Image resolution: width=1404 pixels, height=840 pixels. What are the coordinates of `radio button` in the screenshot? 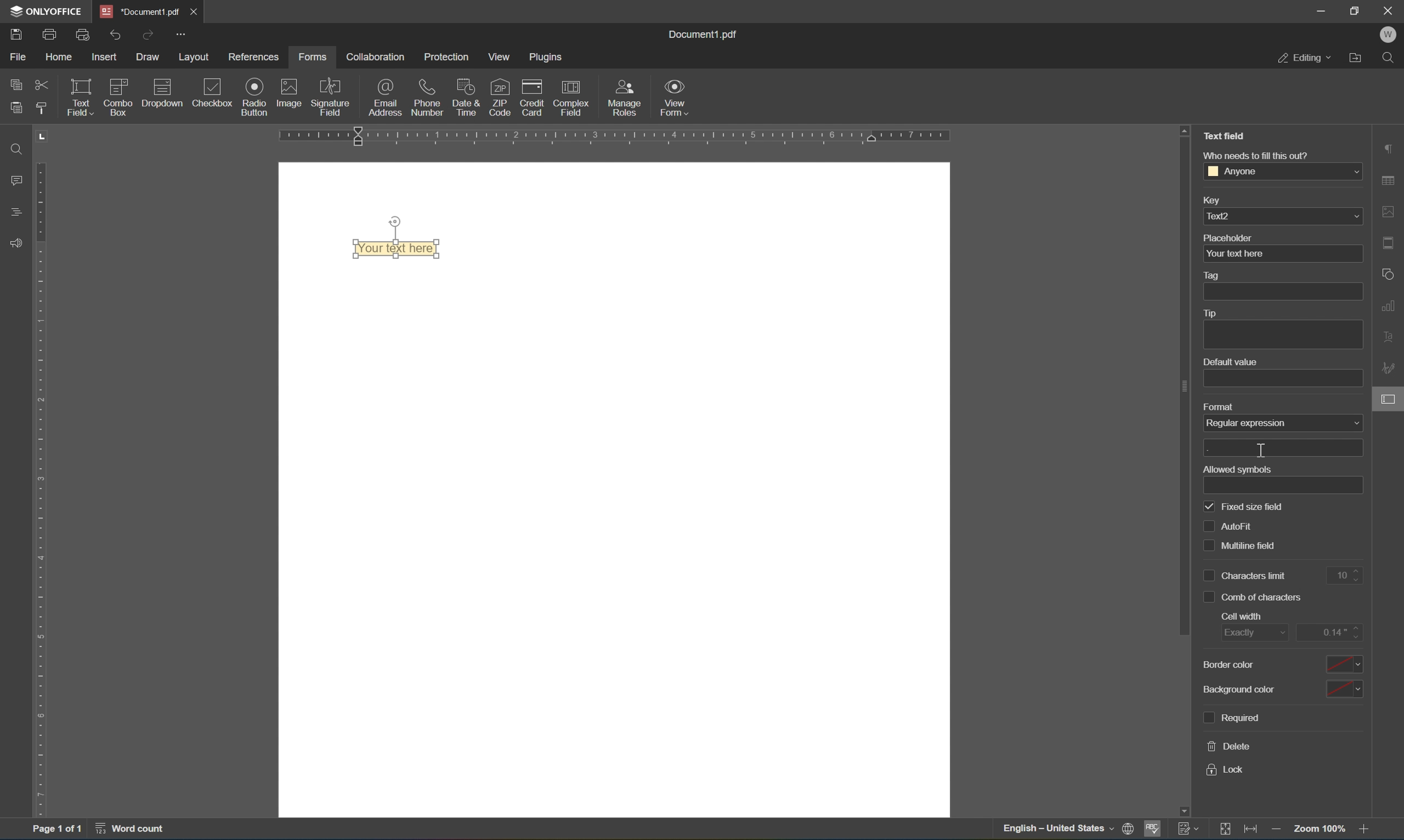 It's located at (254, 96).